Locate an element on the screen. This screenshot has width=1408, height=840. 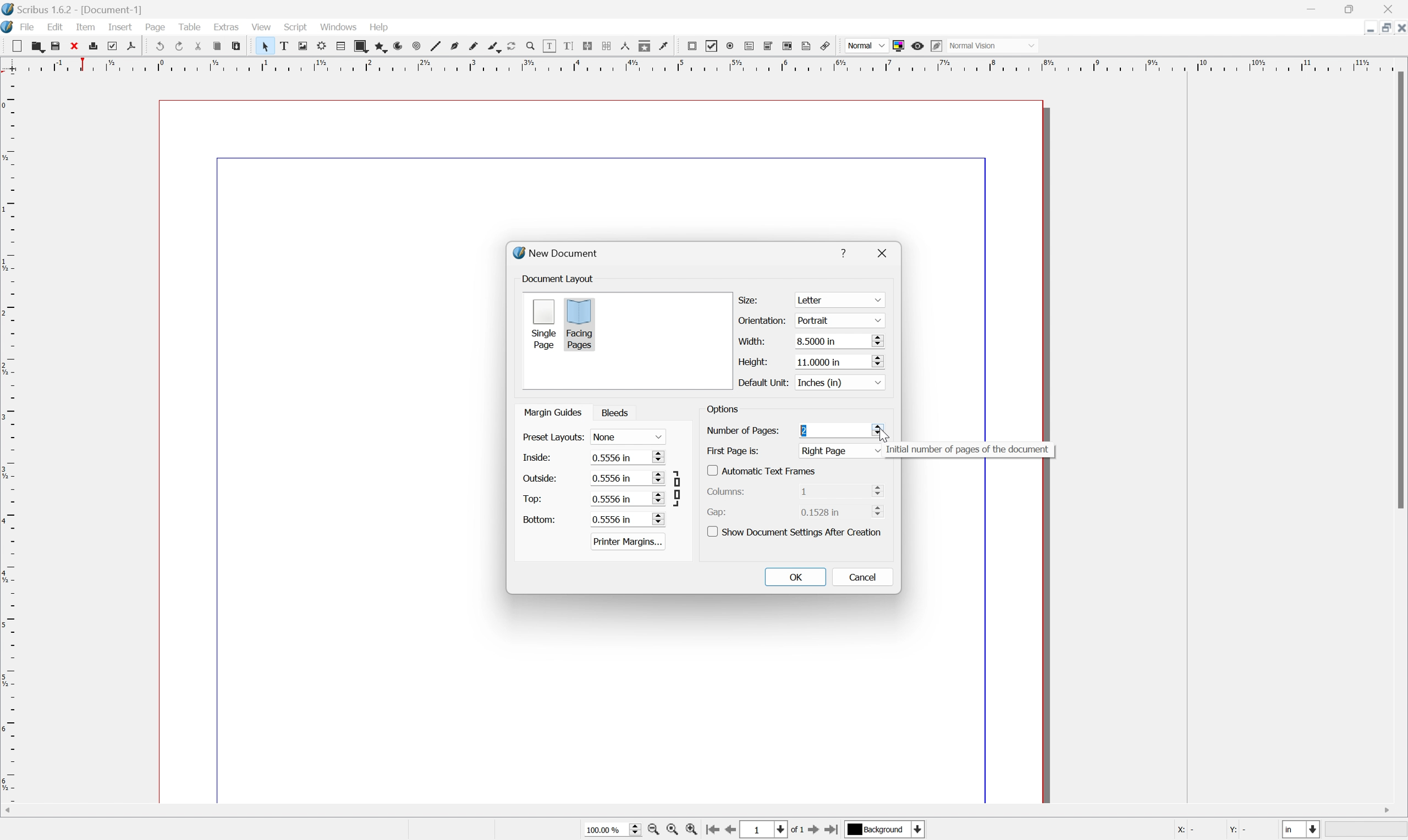
Extras is located at coordinates (226, 28).